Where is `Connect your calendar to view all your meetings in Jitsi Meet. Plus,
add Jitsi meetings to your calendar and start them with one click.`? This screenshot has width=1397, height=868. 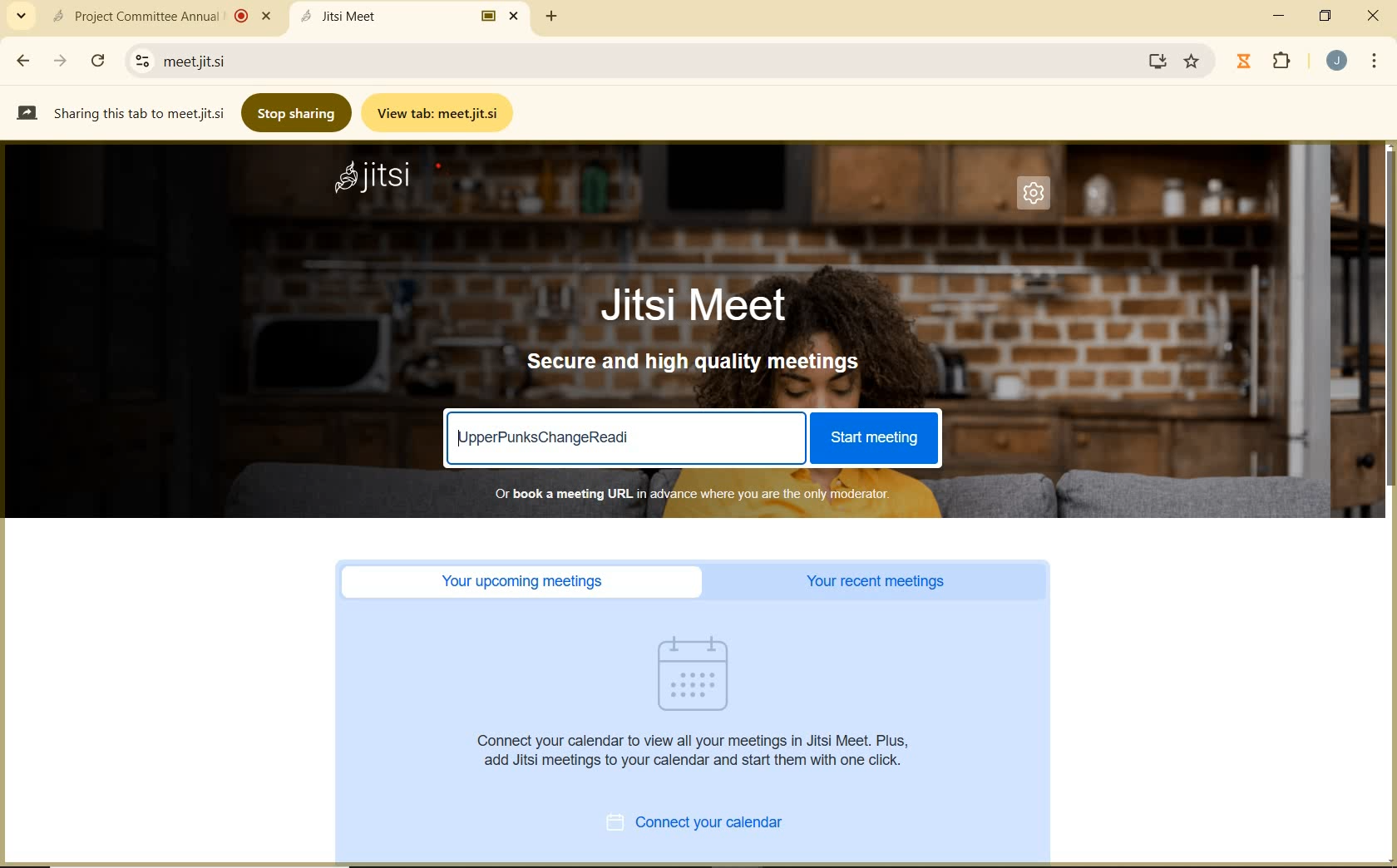
Connect your calendar to view all your meetings in Jitsi Meet. Plus,
add Jitsi meetings to your calendar and start them with one click. is located at coordinates (698, 750).